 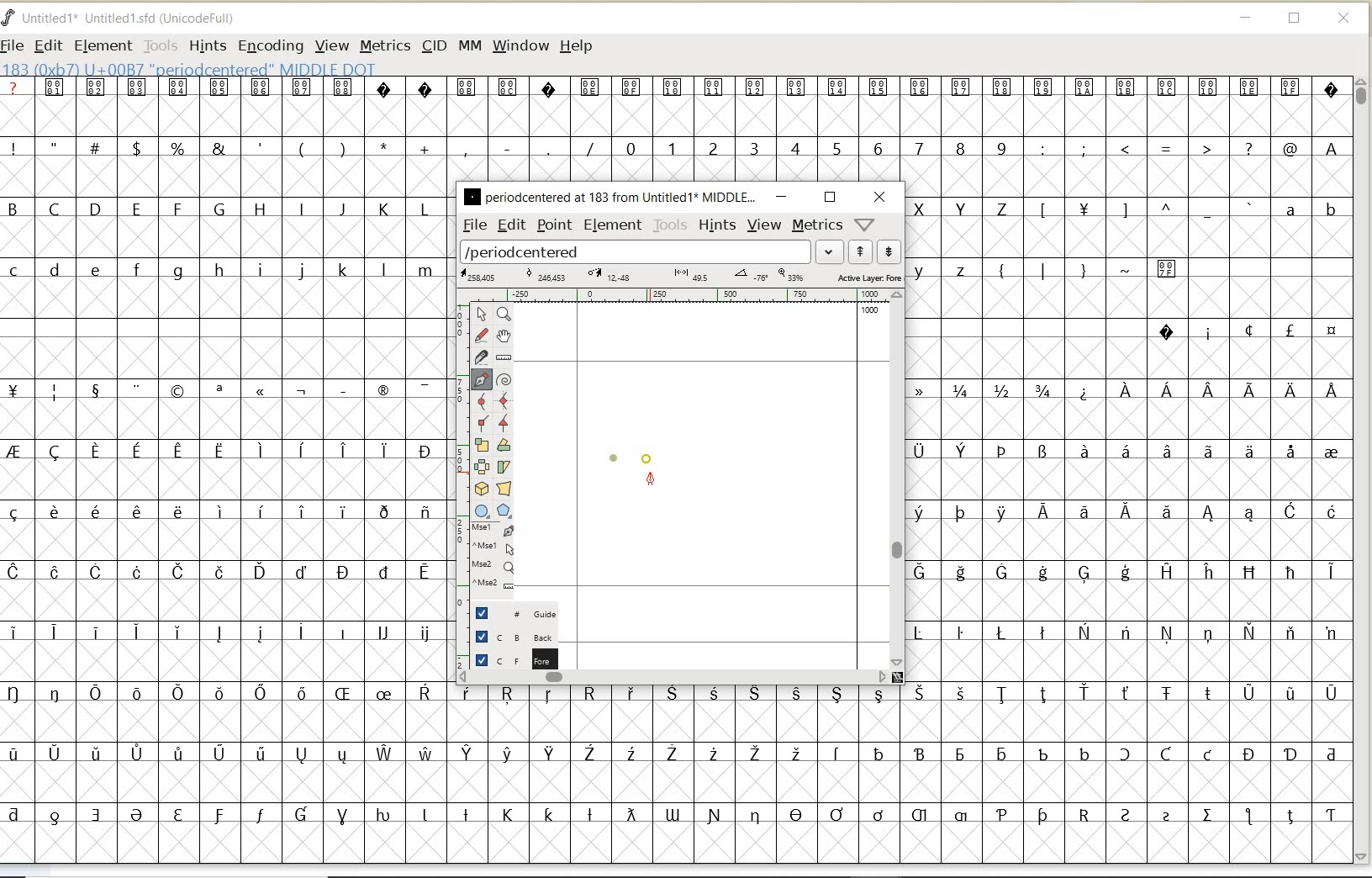 What do you see at coordinates (472, 225) in the screenshot?
I see `file` at bounding box center [472, 225].